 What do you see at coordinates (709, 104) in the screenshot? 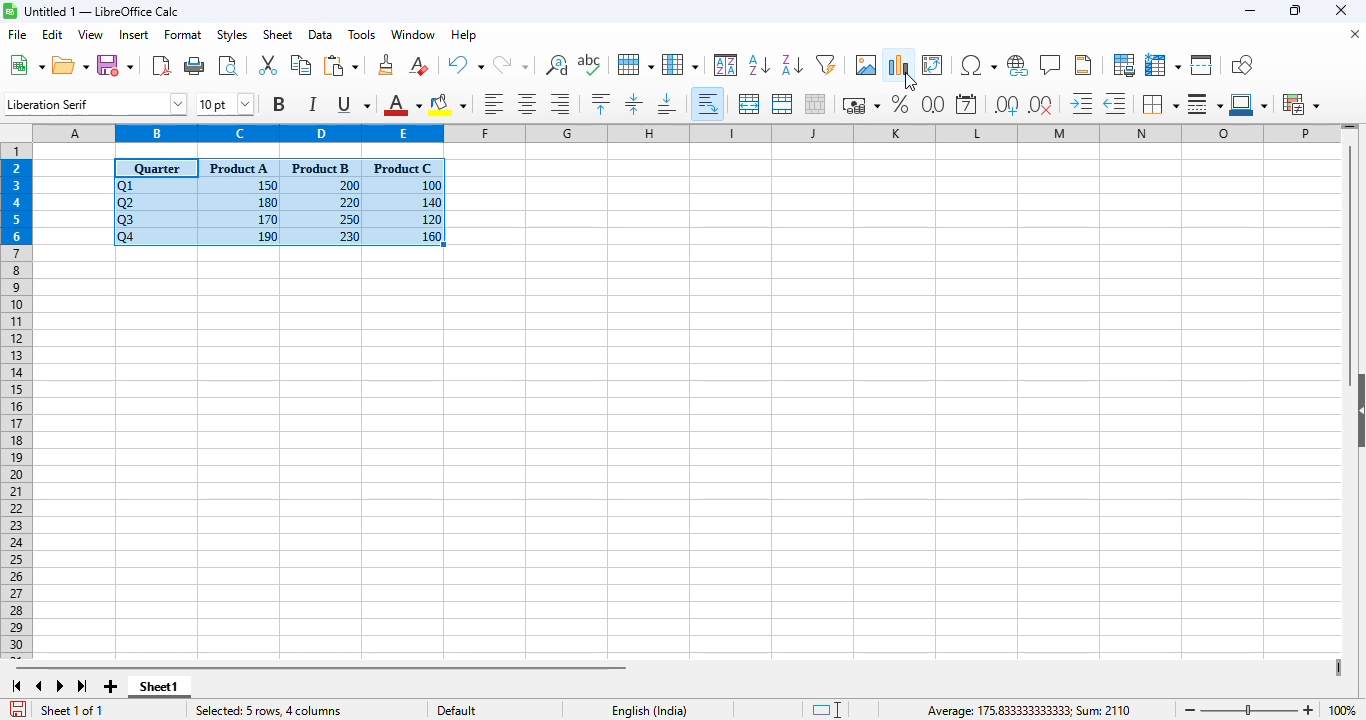
I see `wrap text` at bounding box center [709, 104].